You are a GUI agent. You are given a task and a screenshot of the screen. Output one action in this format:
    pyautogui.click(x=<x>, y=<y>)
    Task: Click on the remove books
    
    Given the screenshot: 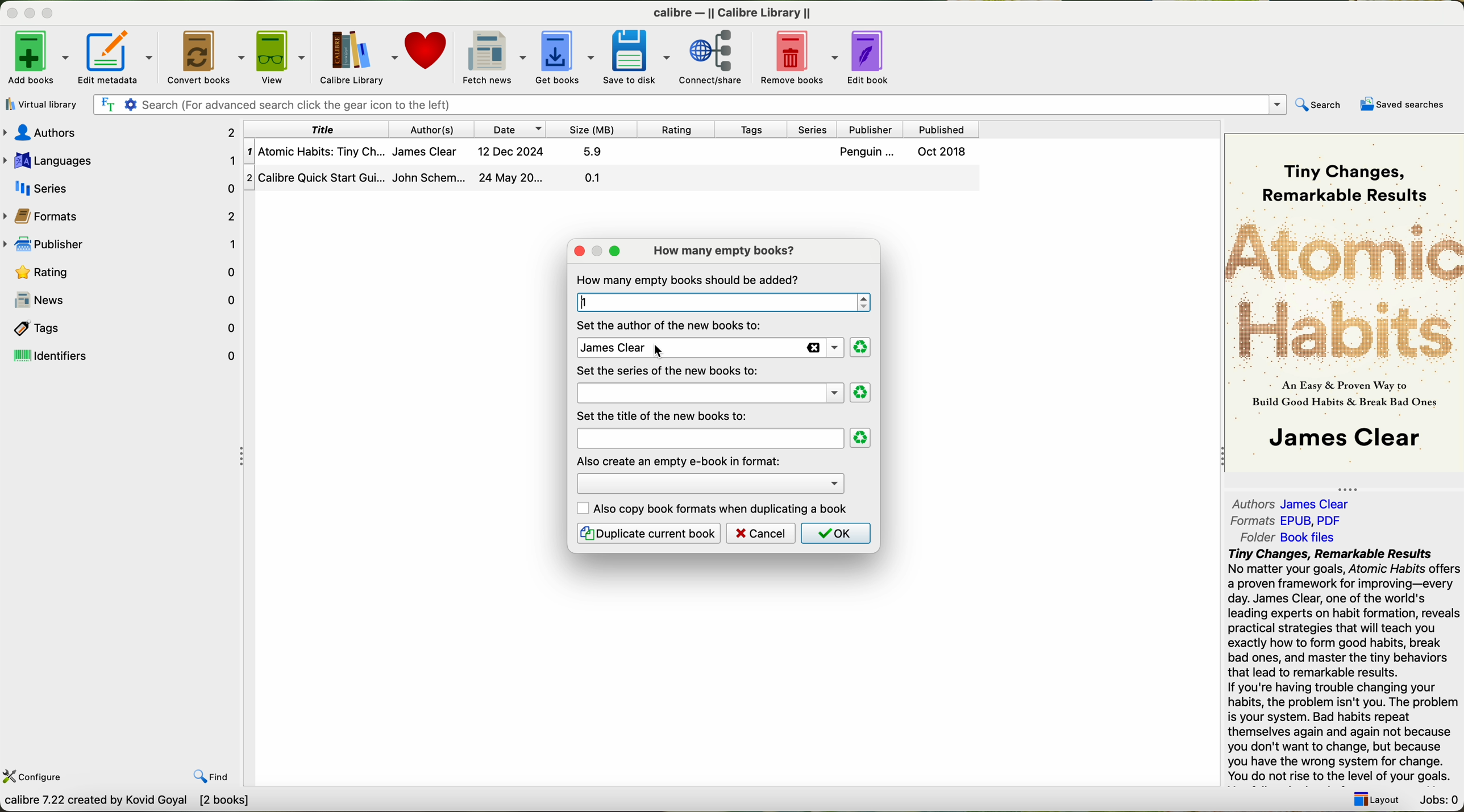 What is the action you would take?
    pyautogui.click(x=795, y=59)
    